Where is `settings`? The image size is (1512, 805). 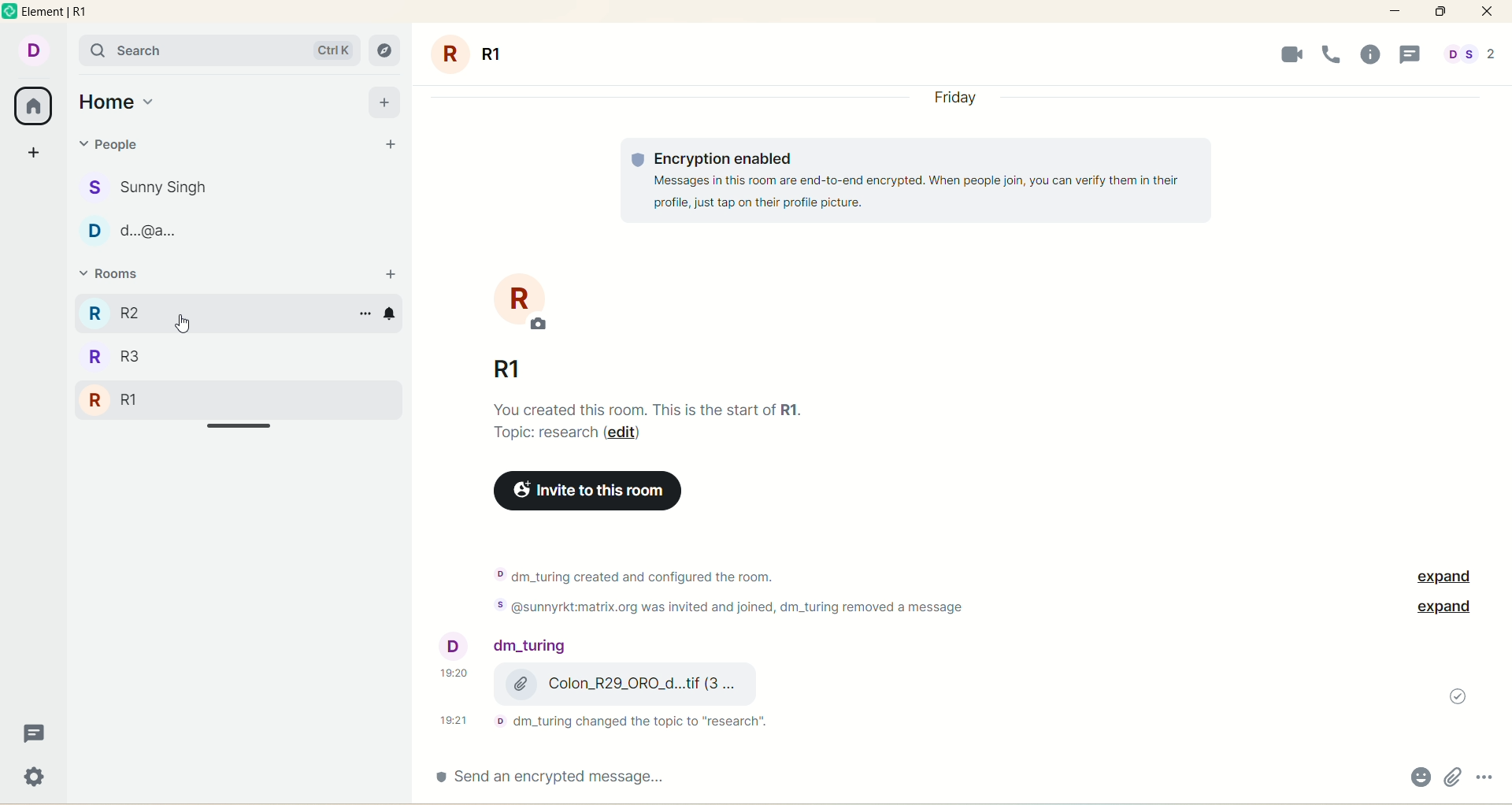
settings is located at coordinates (36, 779).